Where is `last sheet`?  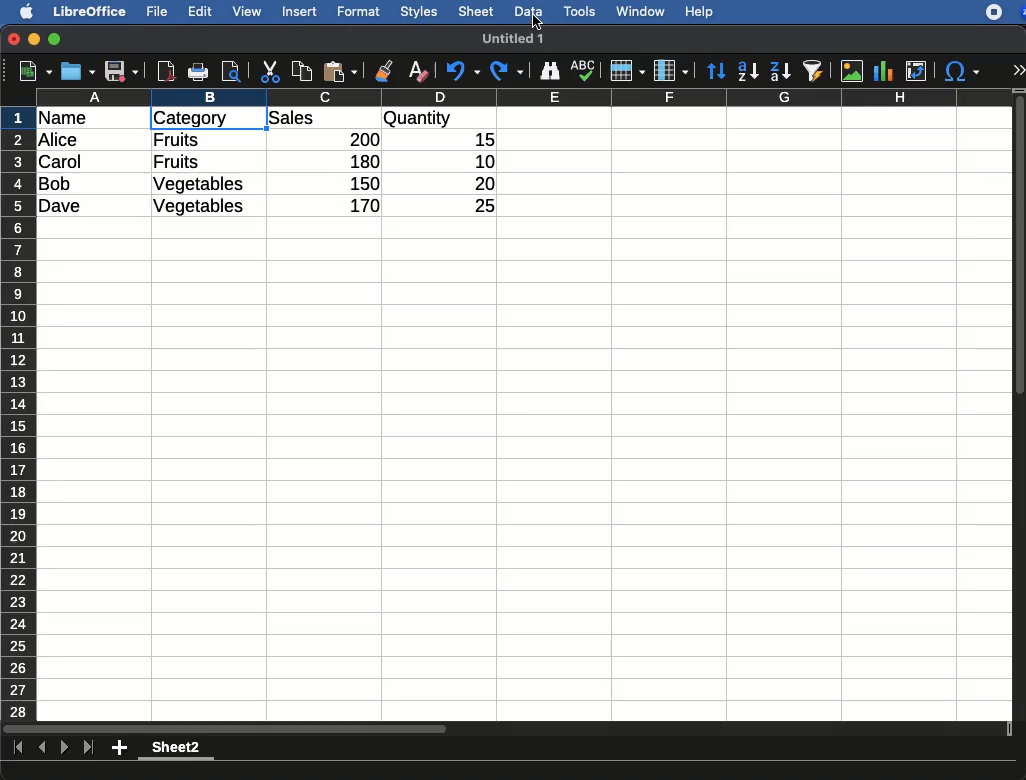 last sheet is located at coordinates (88, 748).